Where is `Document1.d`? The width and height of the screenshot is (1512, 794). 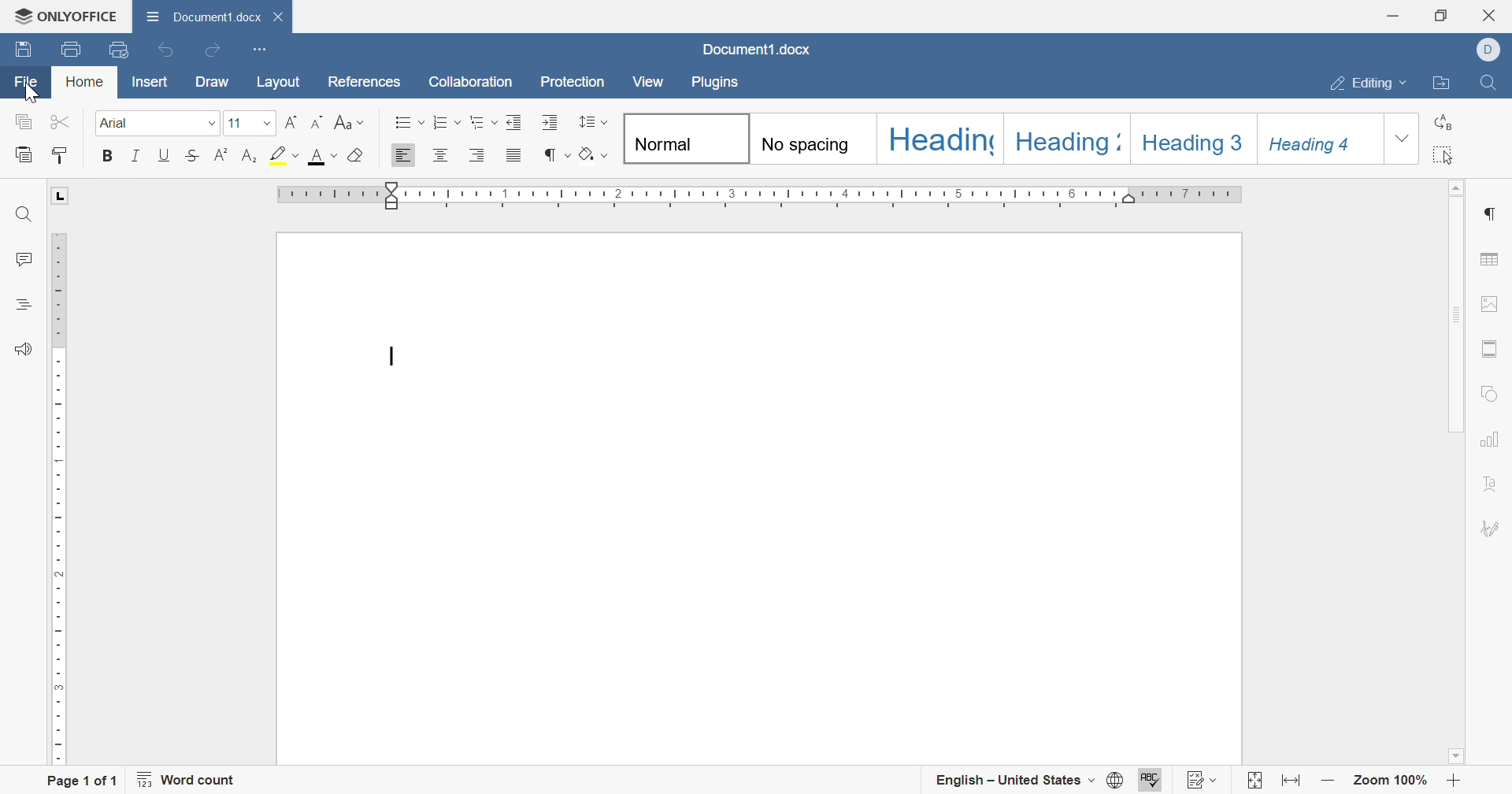 Document1.d is located at coordinates (201, 16).